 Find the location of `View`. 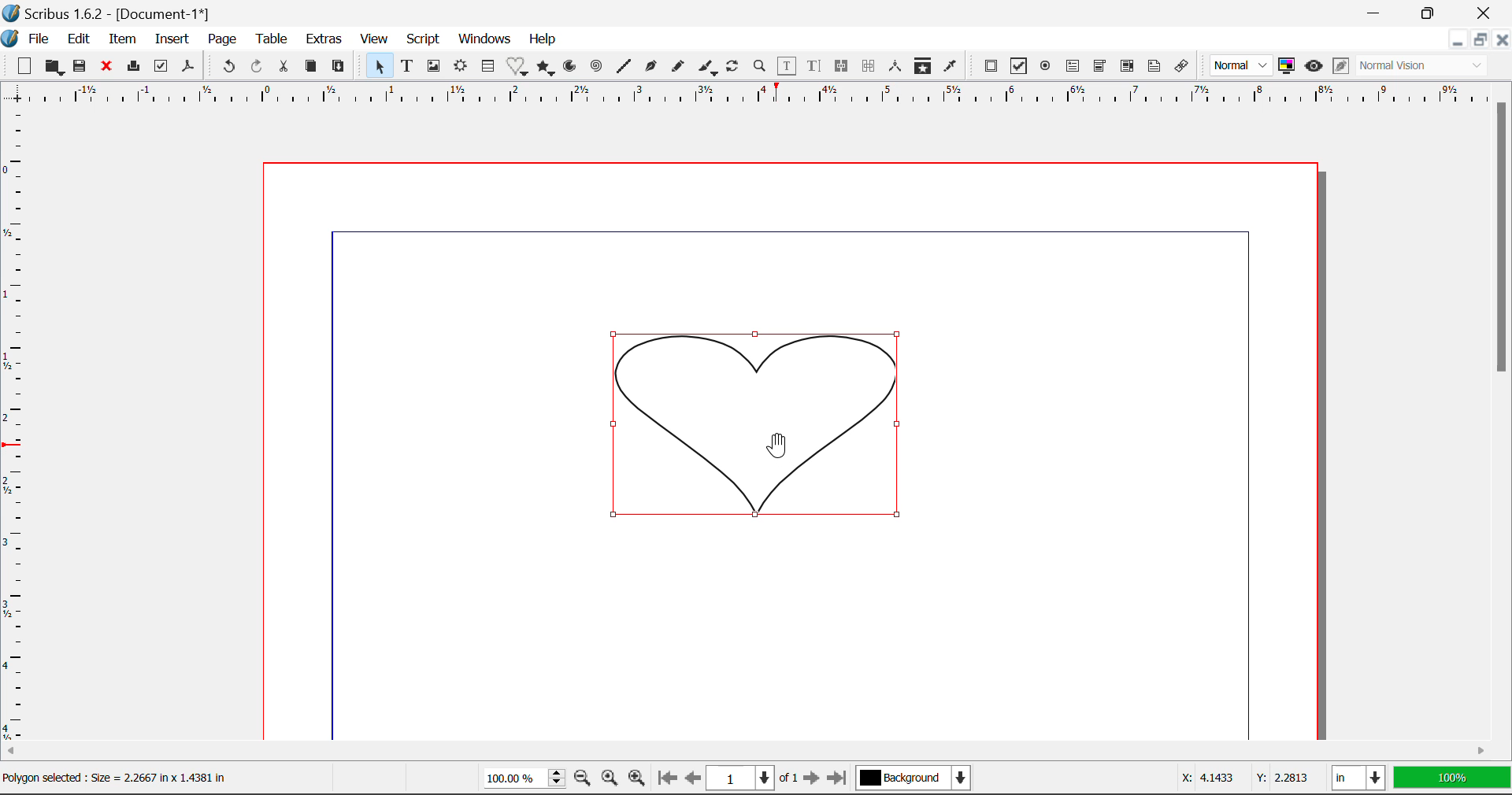

View is located at coordinates (375, 41).